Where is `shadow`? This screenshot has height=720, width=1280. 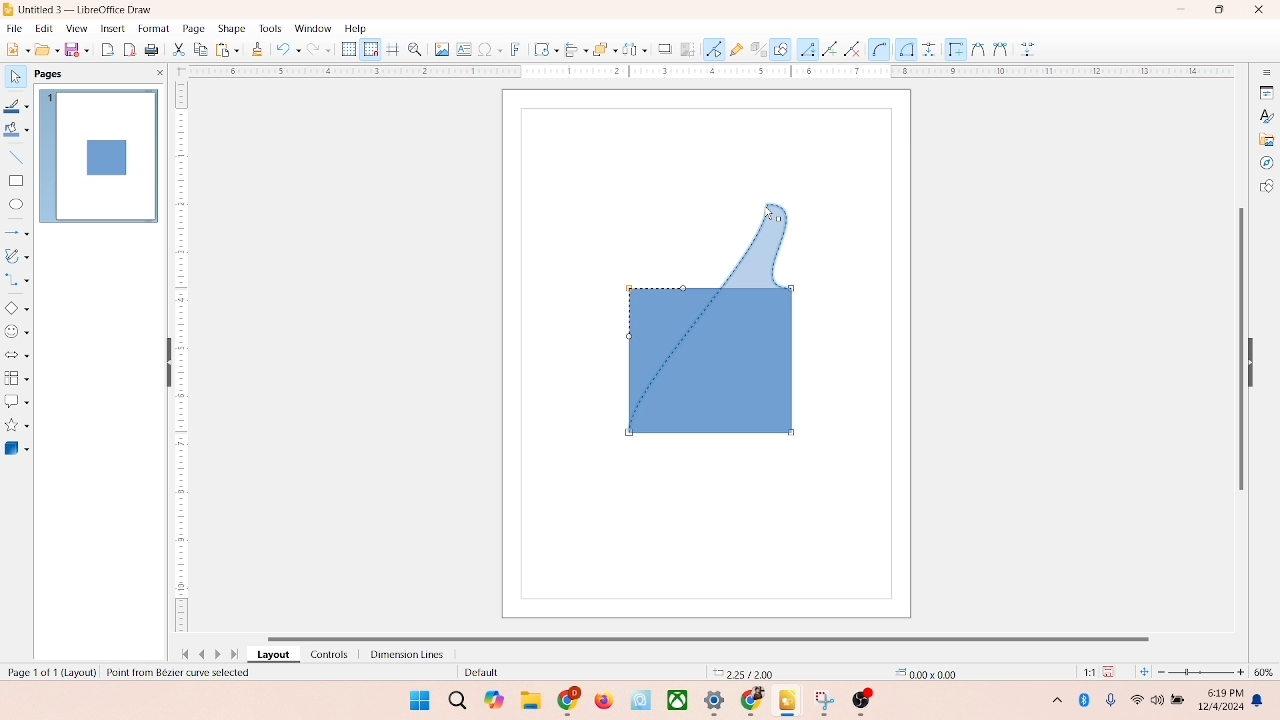
shadow is located at coordinates (662, 47).